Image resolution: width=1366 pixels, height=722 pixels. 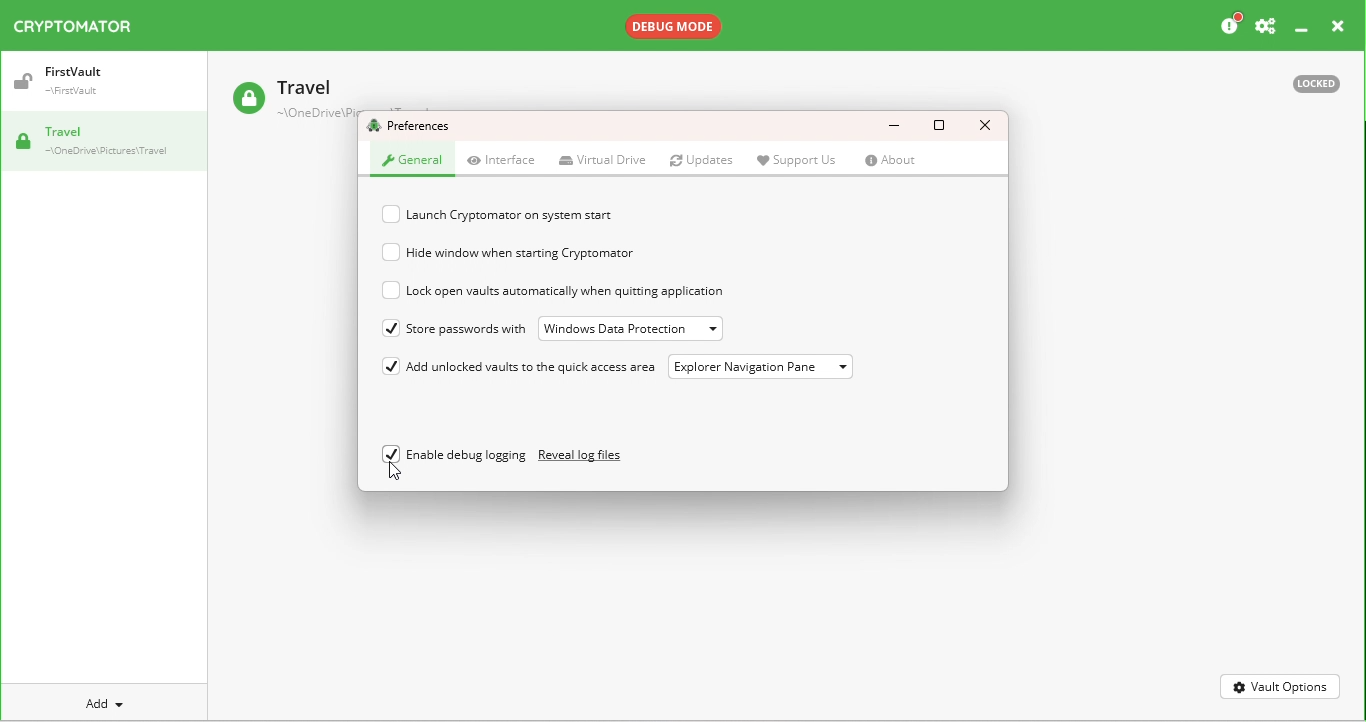 I want to click on About, so click(x=890, y=162).